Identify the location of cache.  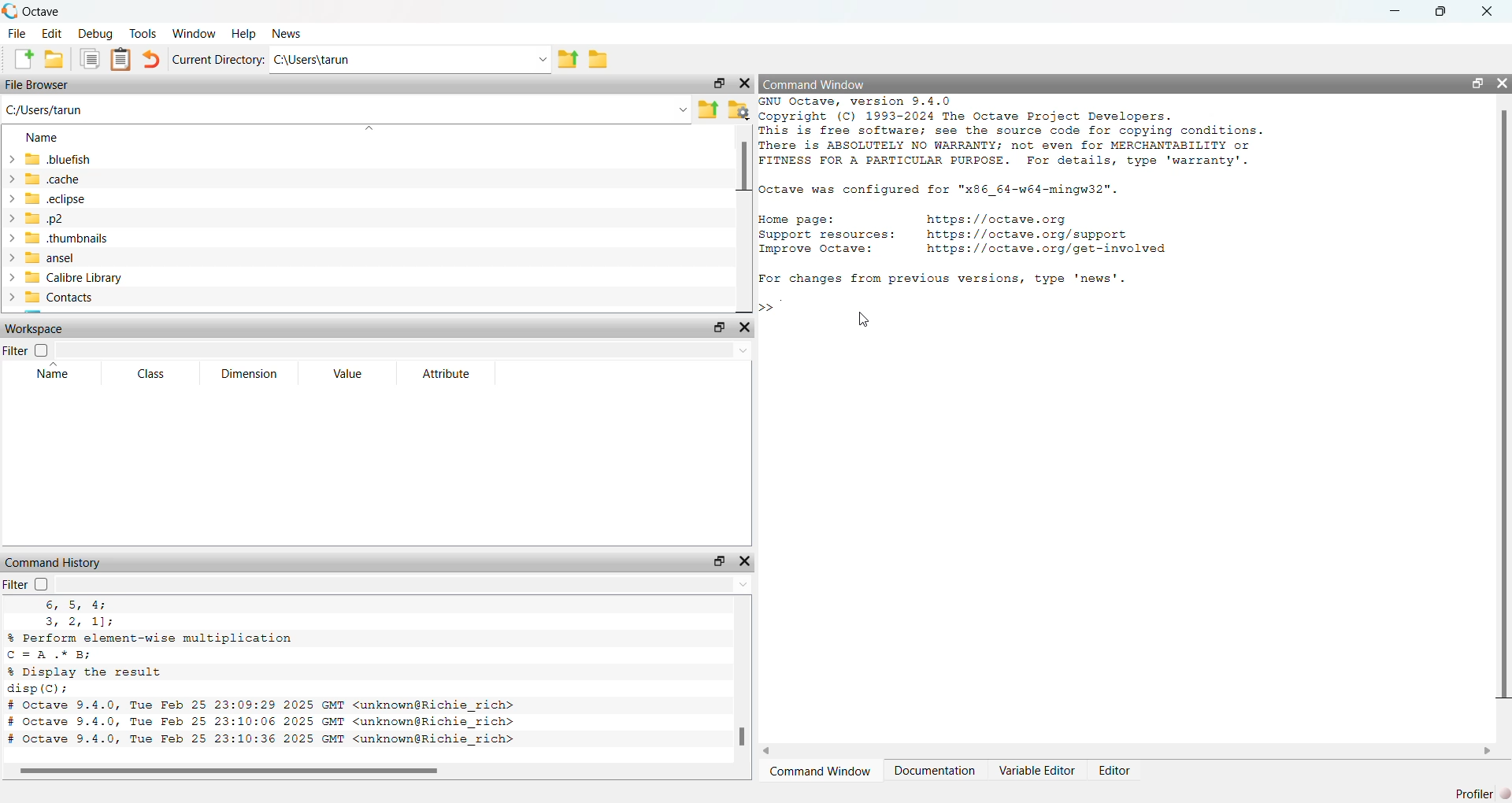
(44, 180).